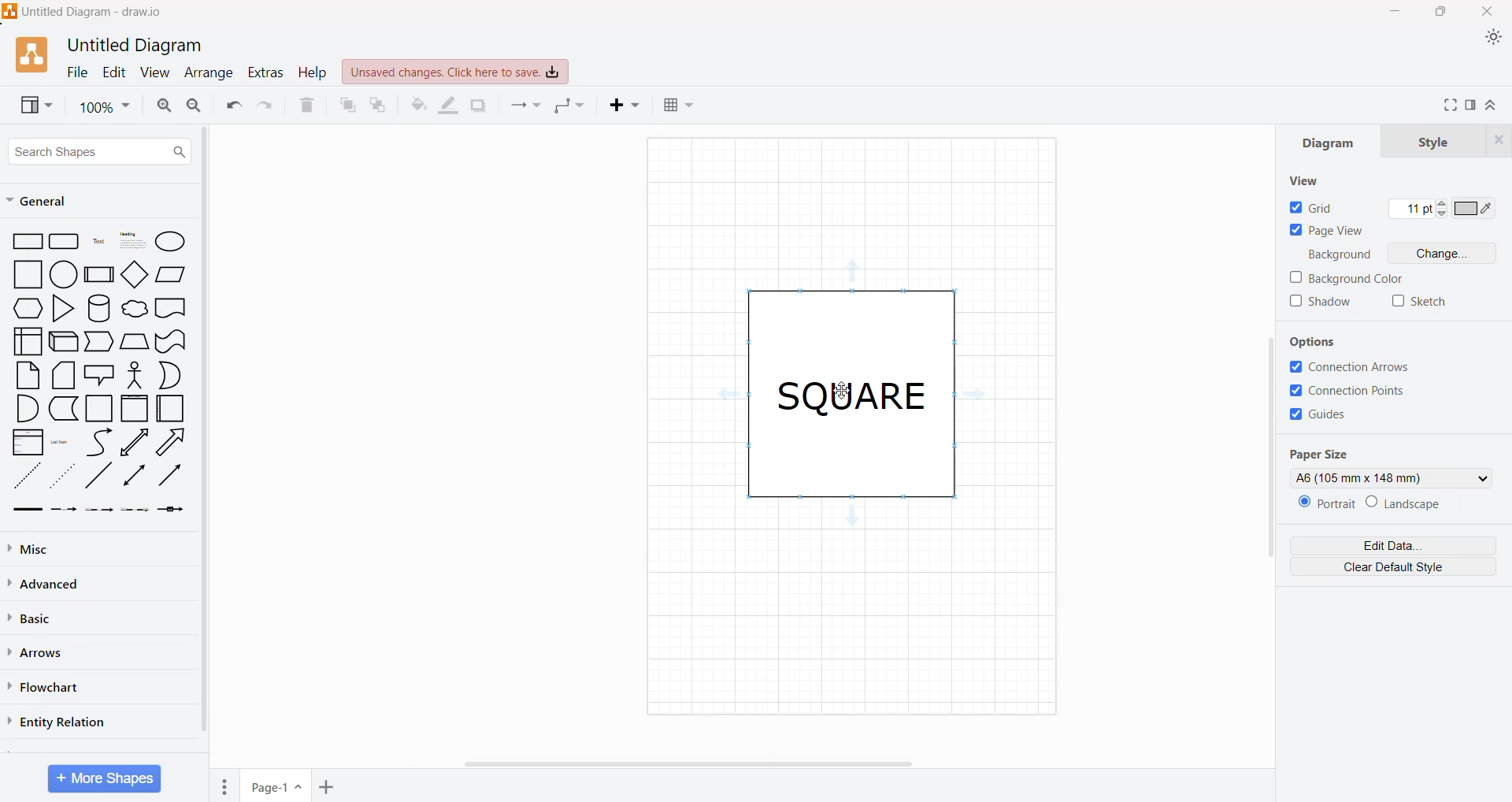  What do you see at coordinates (1324, 340) in the screenshot?
I see `Options` at bounding box center [1324, 340].